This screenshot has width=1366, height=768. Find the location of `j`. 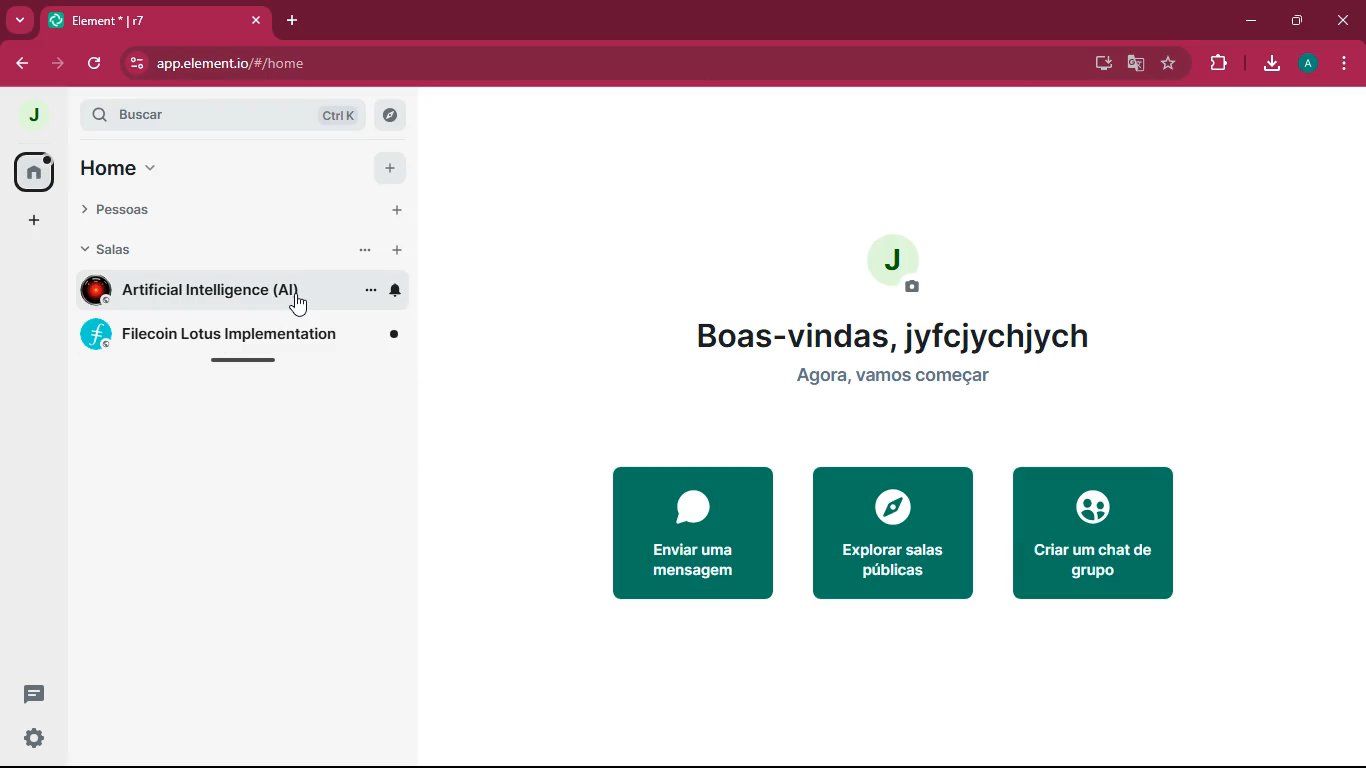

j is located at coordinates (32, 114).